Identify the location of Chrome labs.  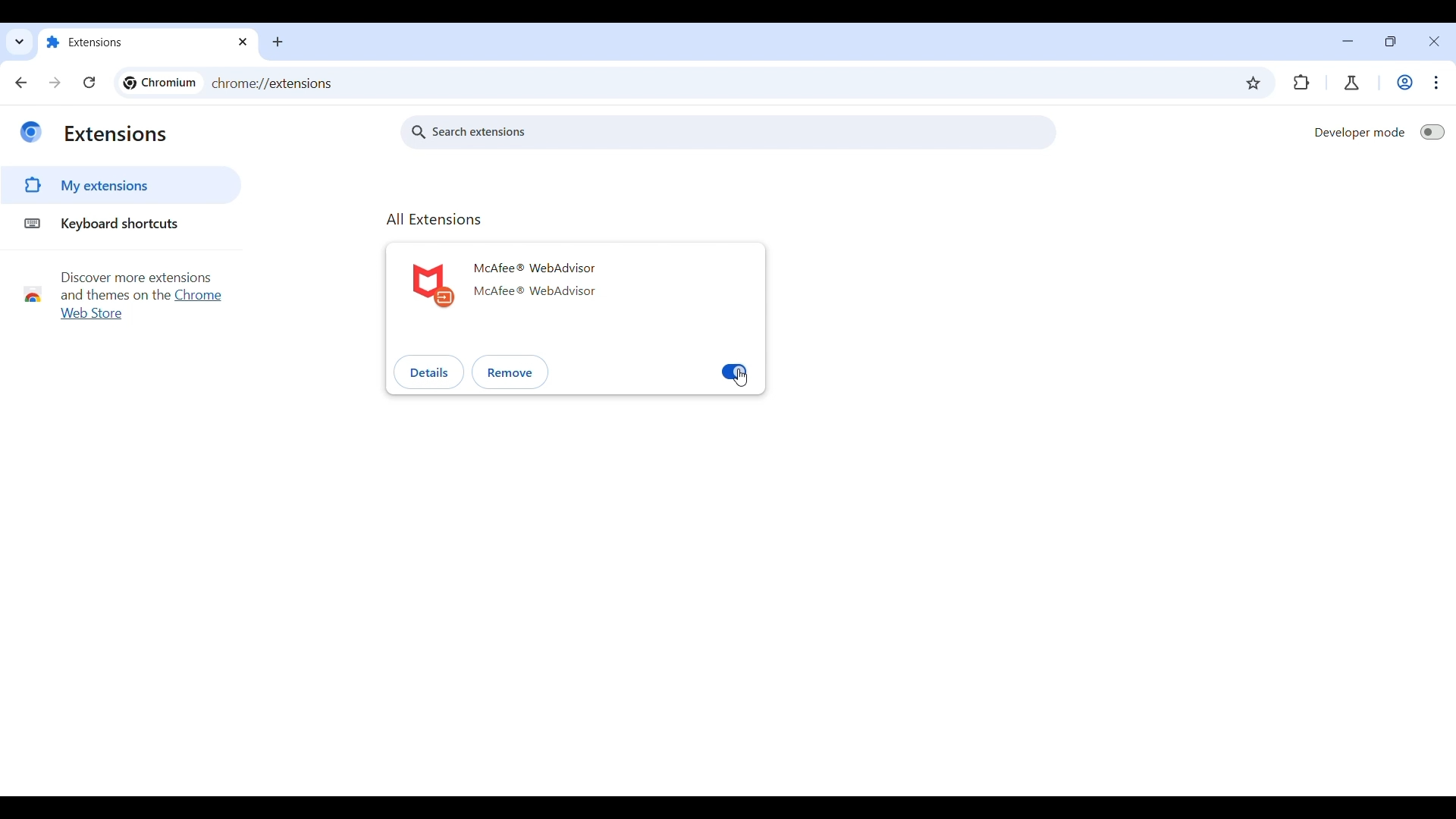
(1351, 83).